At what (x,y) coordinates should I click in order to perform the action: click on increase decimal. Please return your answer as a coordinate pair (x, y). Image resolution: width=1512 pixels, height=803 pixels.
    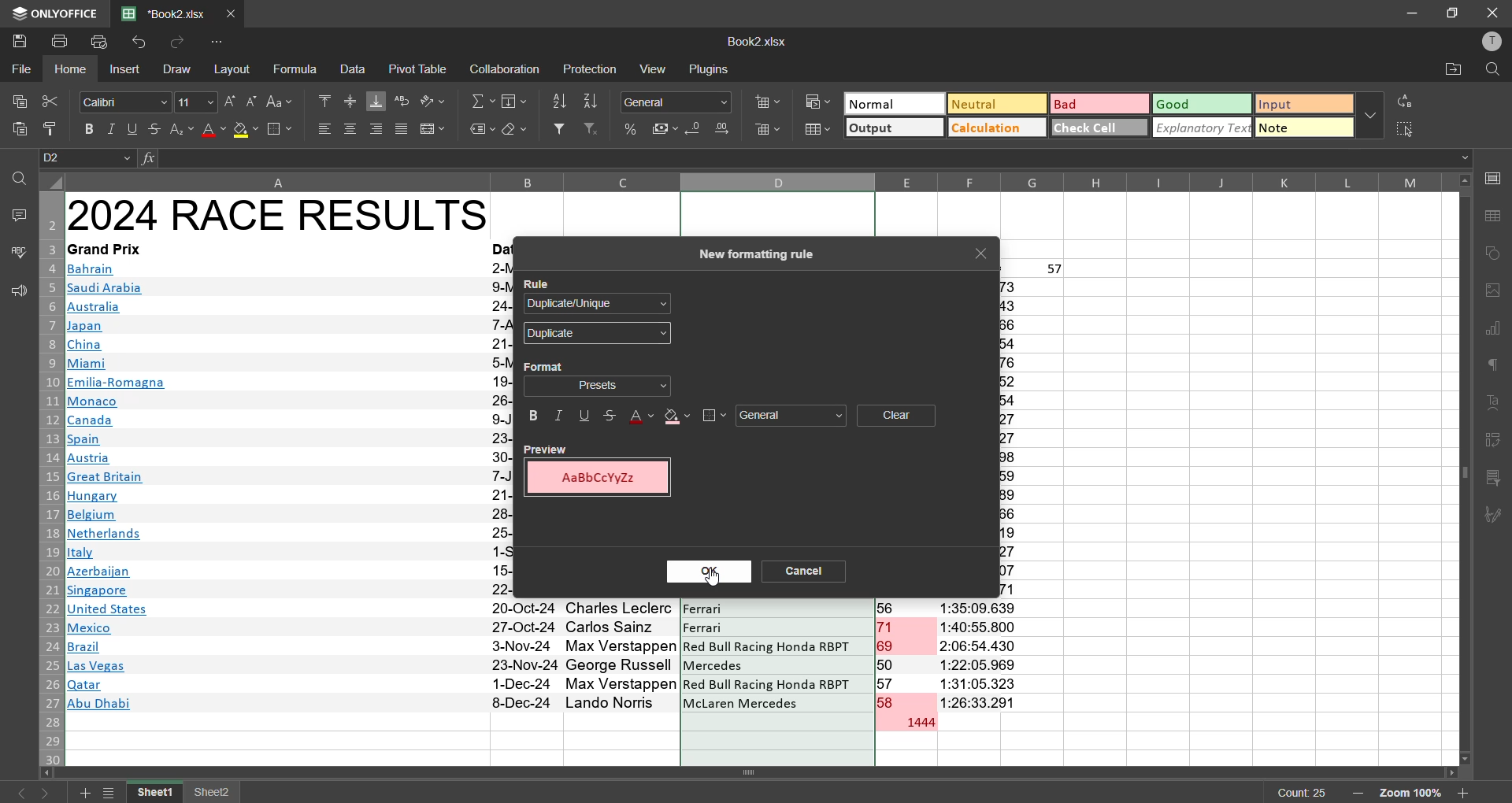
    Looking at the image, I should click on (724, 128).